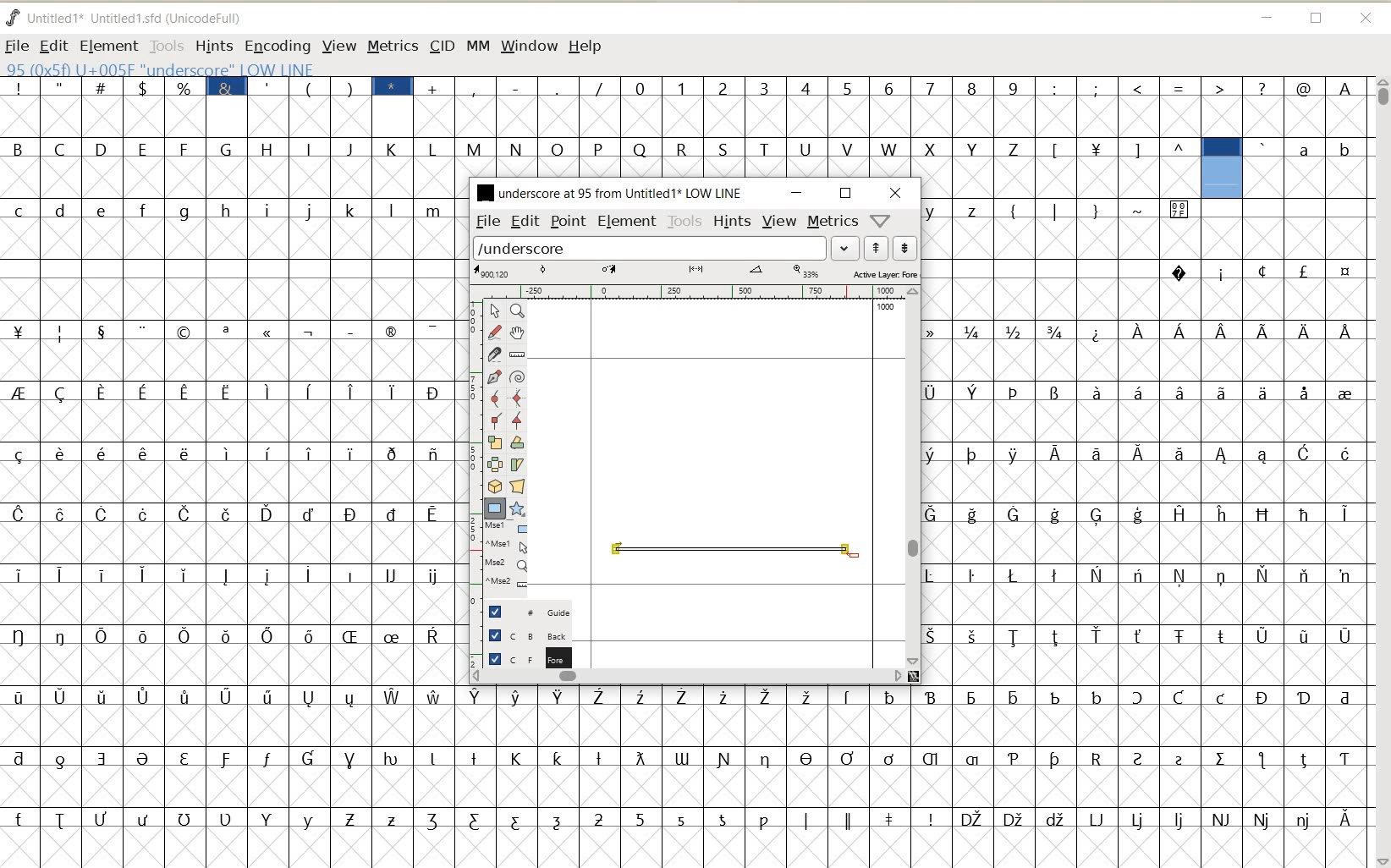 The image size is (1391, 868). I want to click on rotate the selection in 3D and project back to plane, so click(494, 486).